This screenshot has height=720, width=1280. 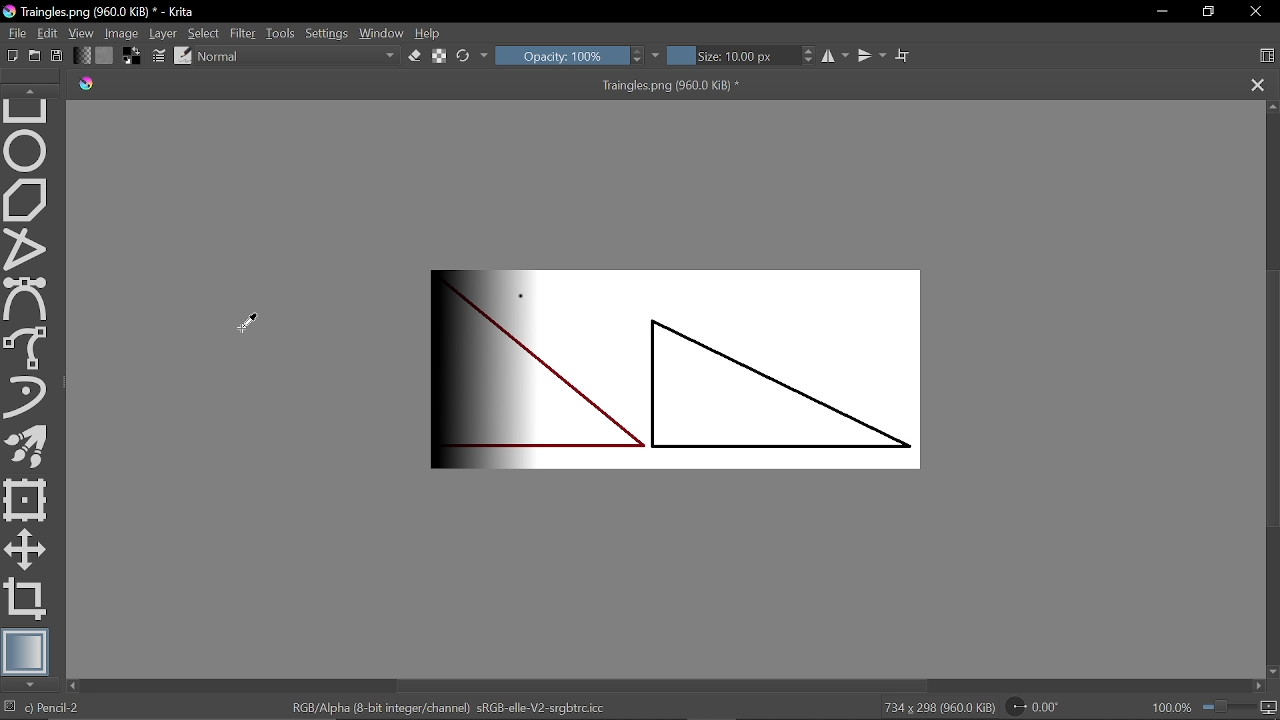 What do you see at coordinates (298, 56) in the screenshot?
I see `Normal` at bounding box center [298, 56].